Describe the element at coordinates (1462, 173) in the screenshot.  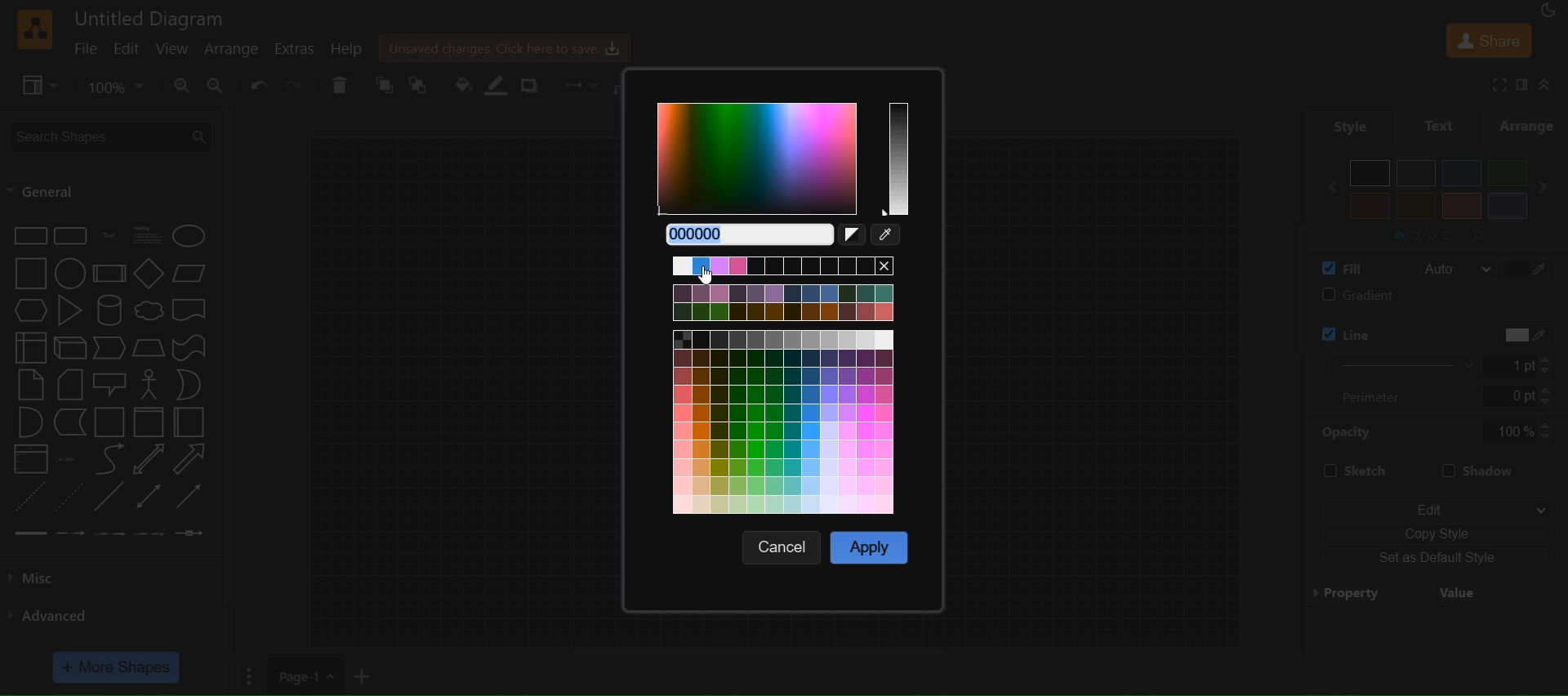
I see `blue color` at that location.